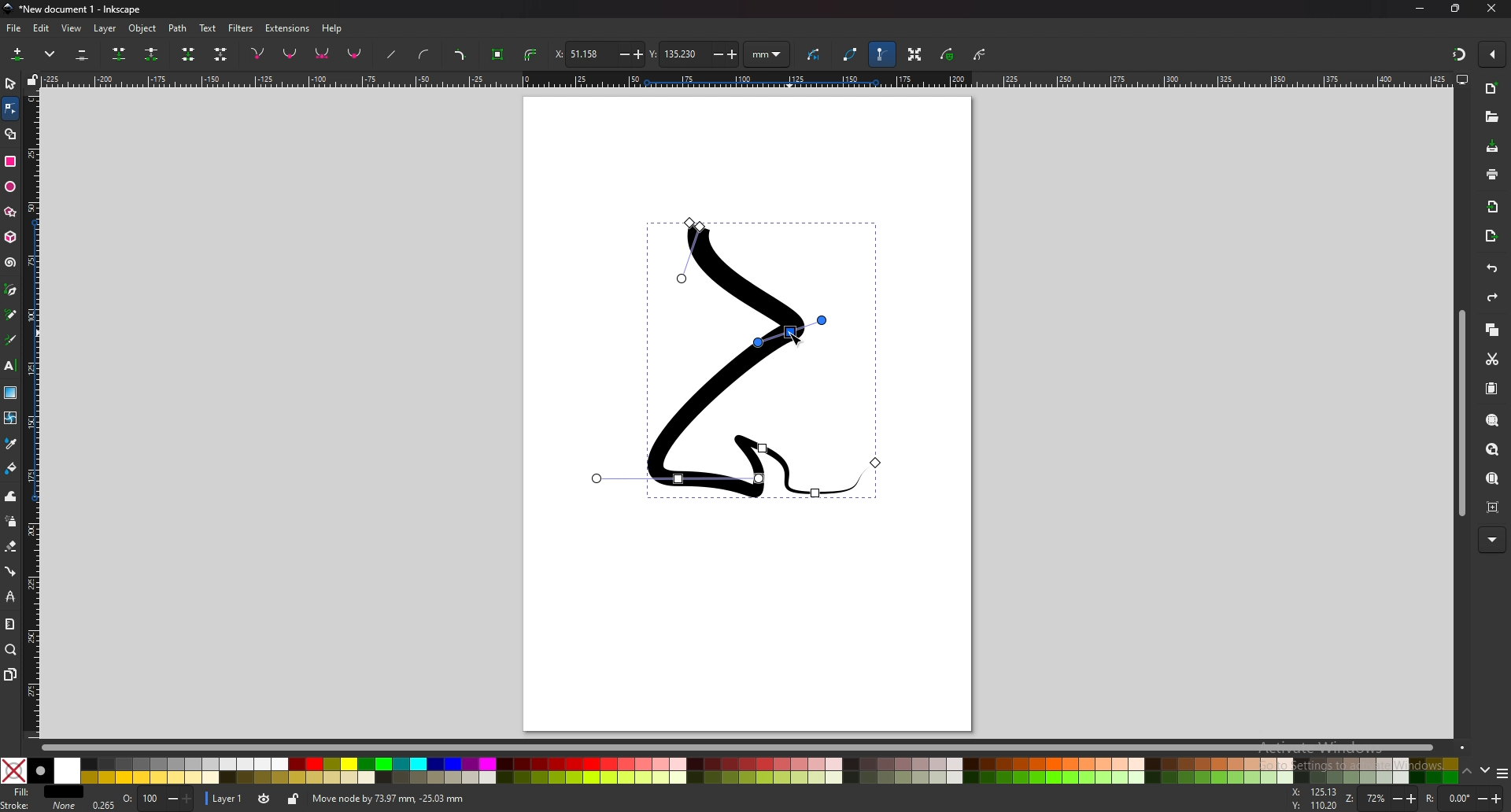 The width and height of the screenshot is (1511, 812). What do you see at coordinates (1456, 9) in the screenshot?
I see `resize` at bounding box center [1456, 9].